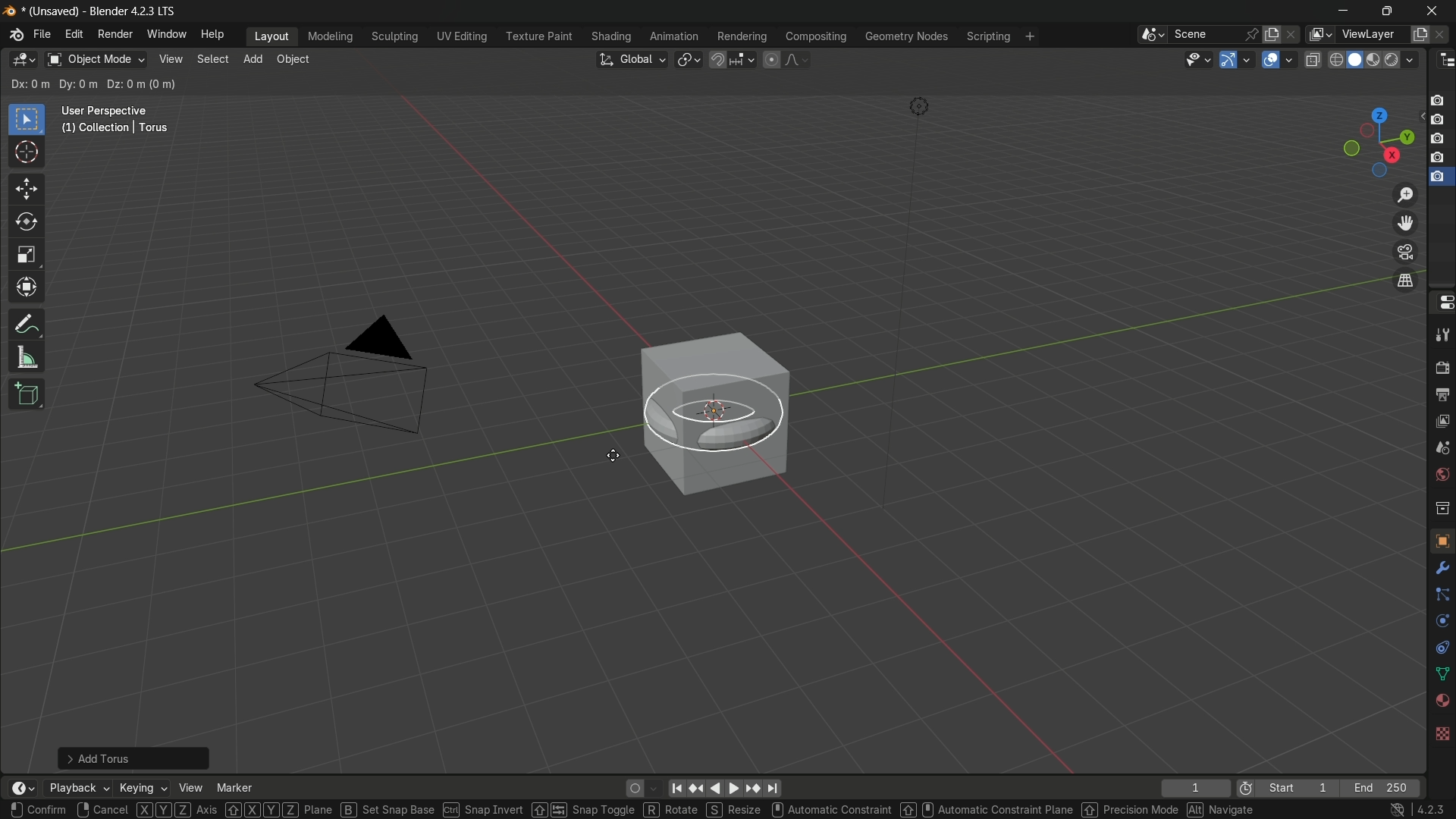 Image resolution: width=1456 pixels, height=819 pixels. What do you see at coordinates (389, 809) in the screenshot?
I see `Set Snap Base` at bounding box center [389, 809].